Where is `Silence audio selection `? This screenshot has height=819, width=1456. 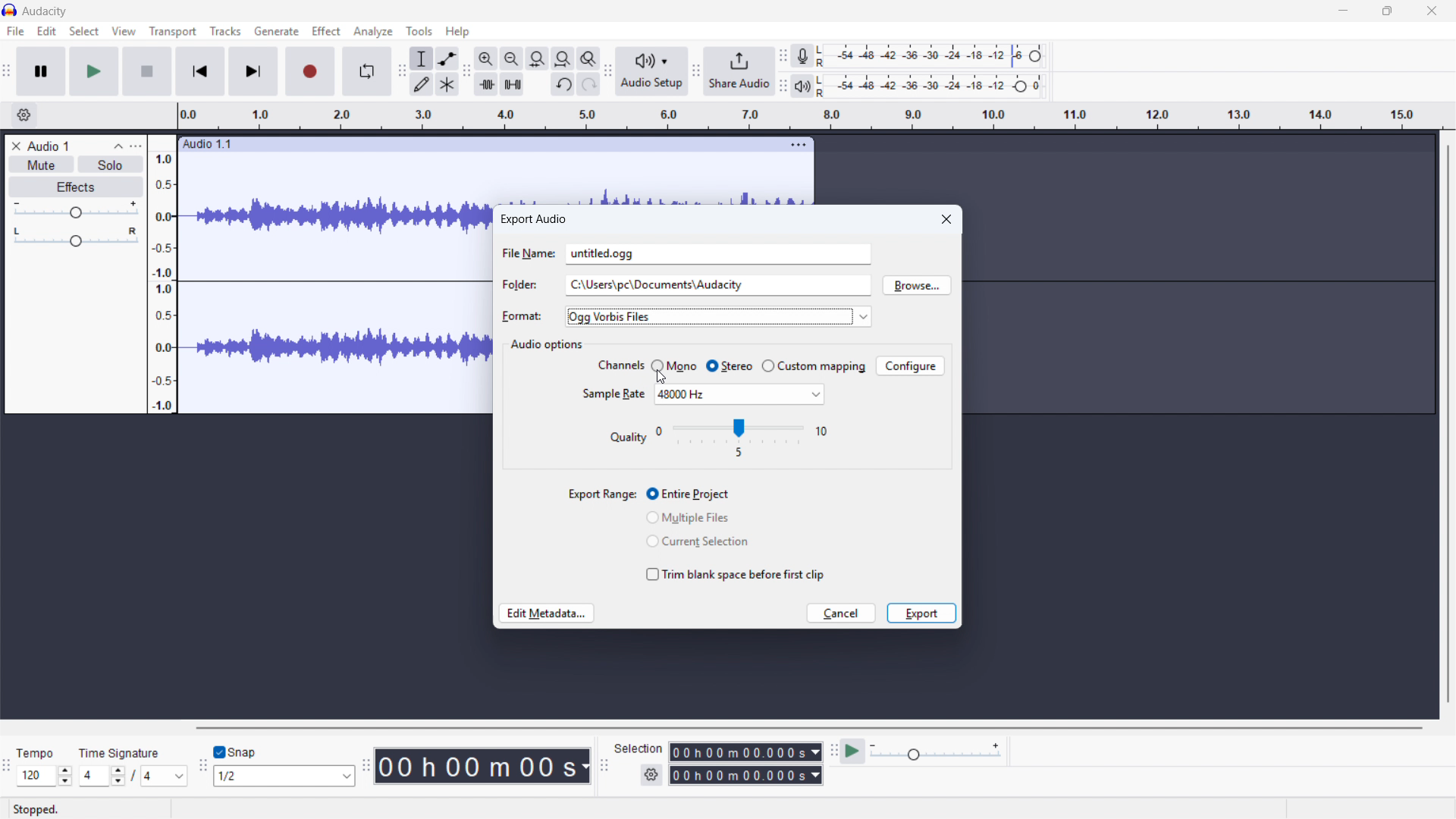
Silence audio selection  is located at coordinates (513, 84).